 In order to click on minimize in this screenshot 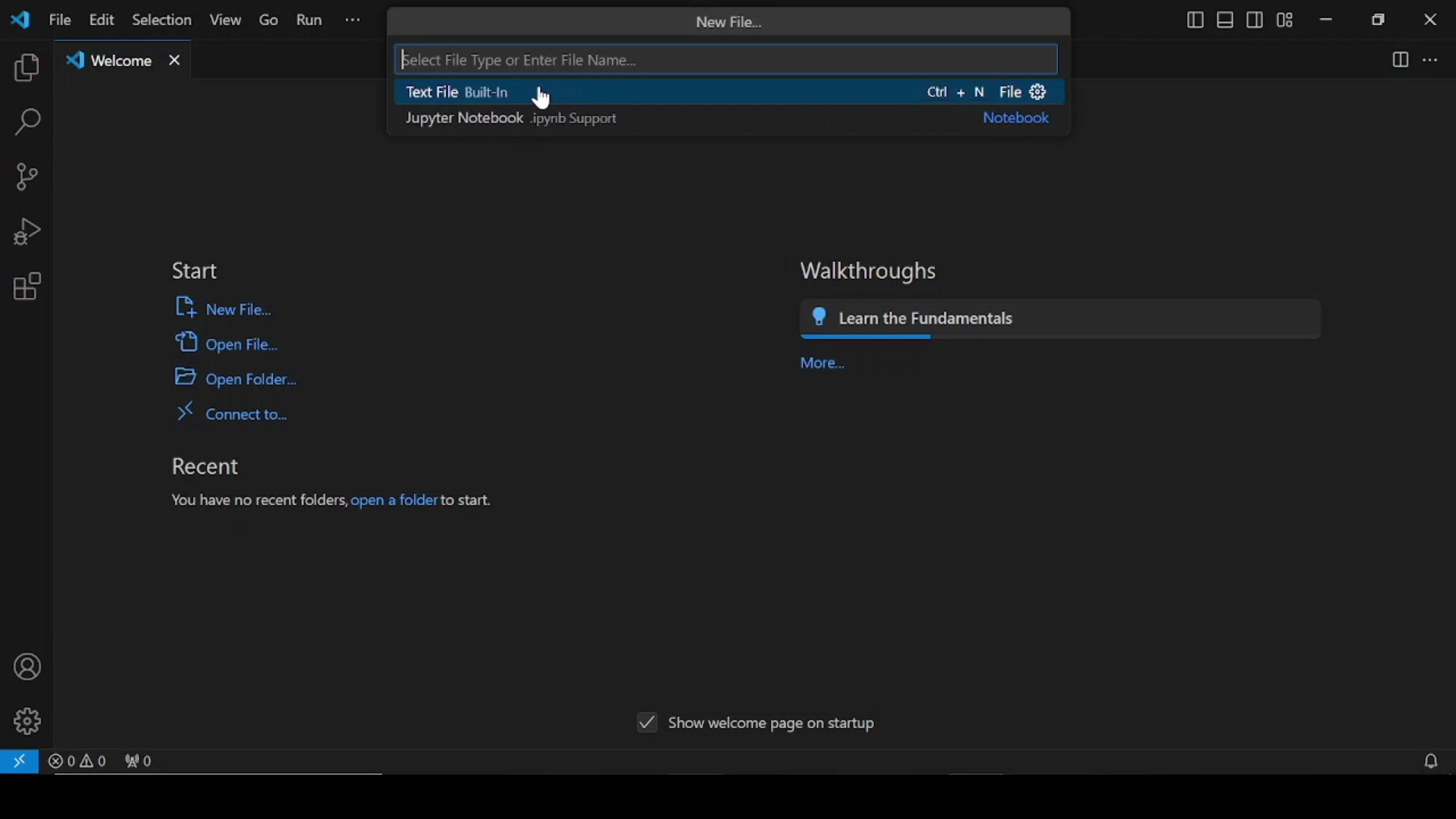, I will do `click(1325, 20)`.